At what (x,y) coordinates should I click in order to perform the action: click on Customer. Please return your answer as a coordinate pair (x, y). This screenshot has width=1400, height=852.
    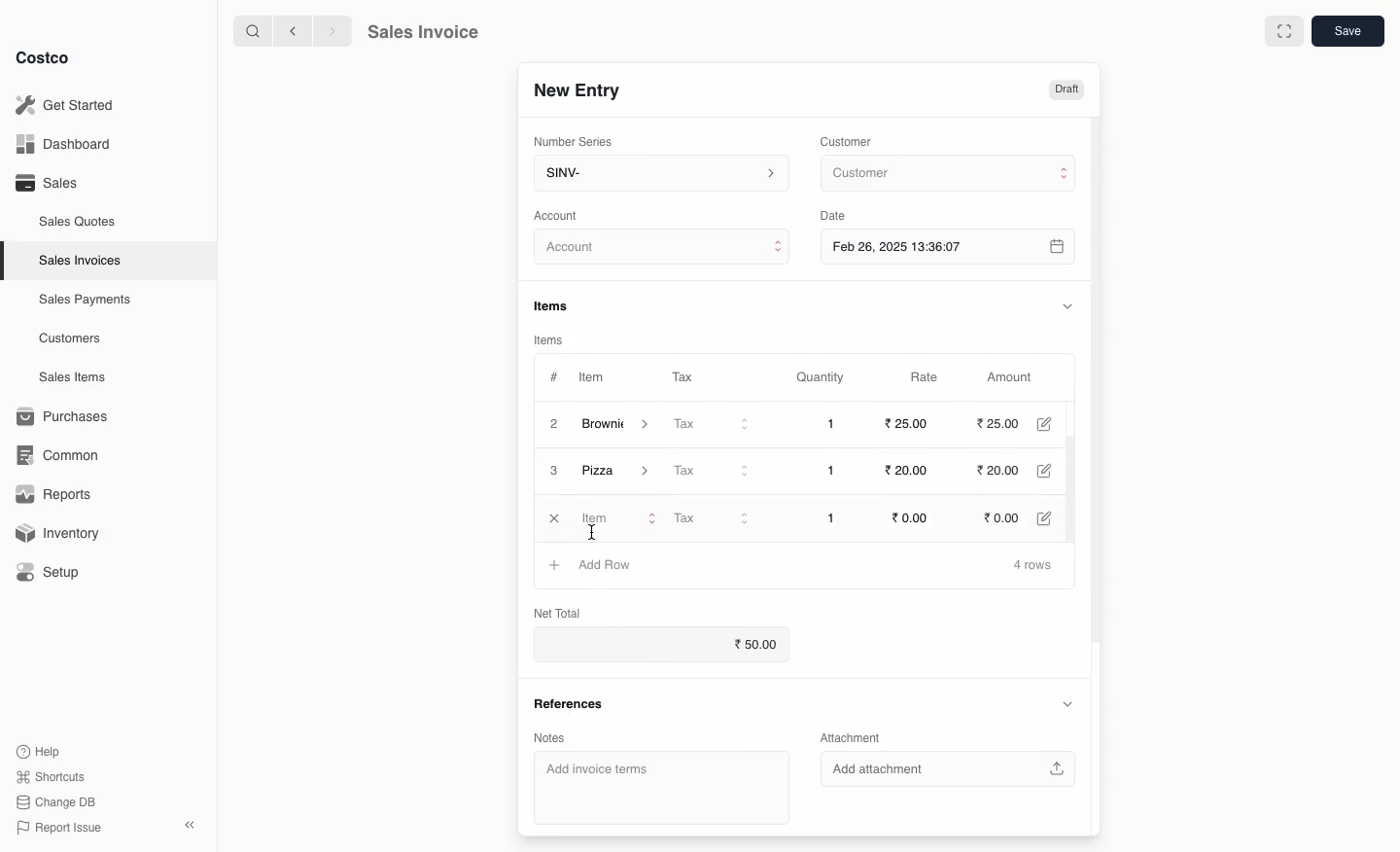
    Looking at the image, I should click on (946, 174).